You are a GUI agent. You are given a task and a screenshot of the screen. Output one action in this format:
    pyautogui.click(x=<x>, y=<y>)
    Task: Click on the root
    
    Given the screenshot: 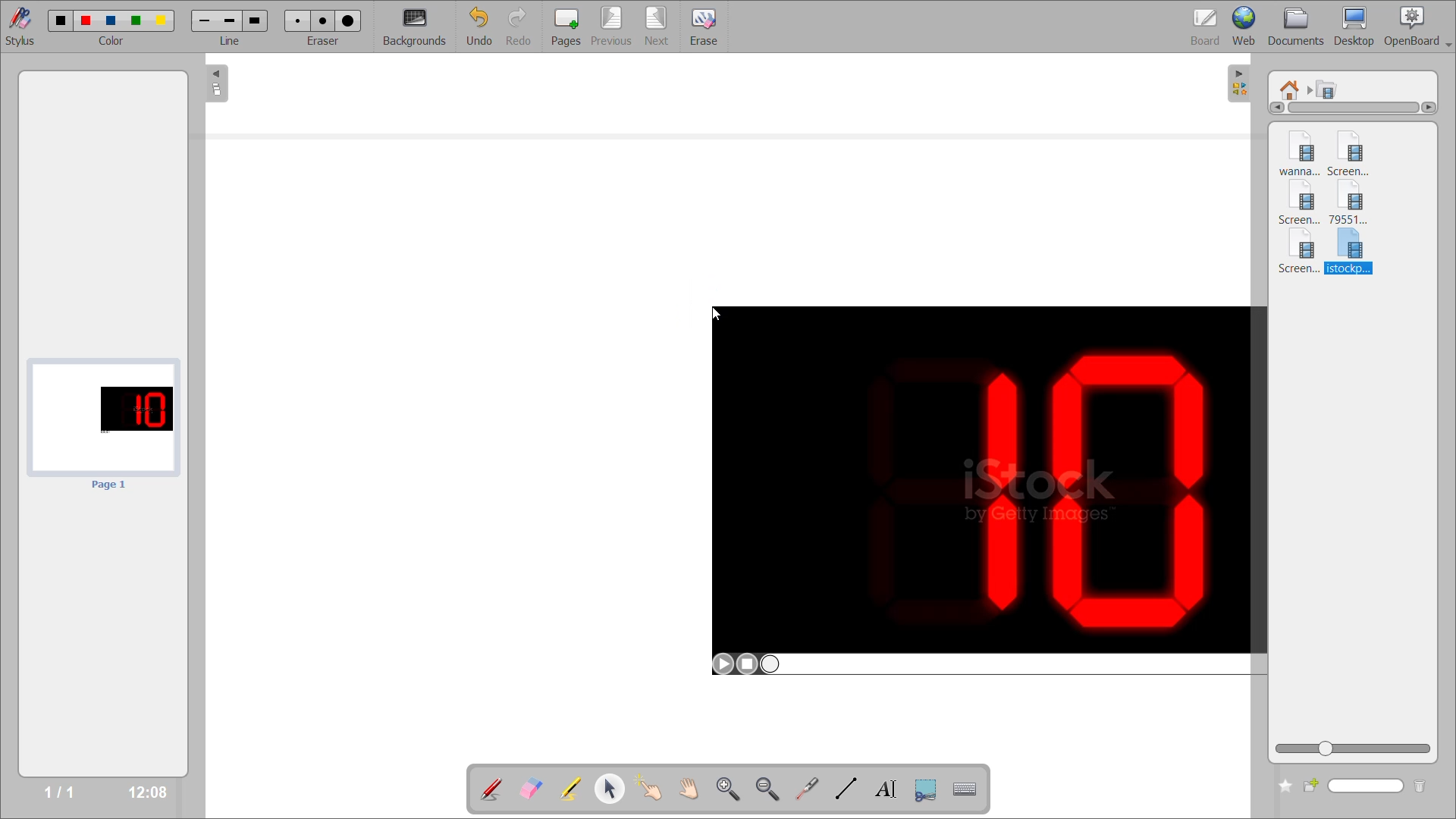 What is the action you would take?
    pyautogui.click(x=1296, y=86)
    